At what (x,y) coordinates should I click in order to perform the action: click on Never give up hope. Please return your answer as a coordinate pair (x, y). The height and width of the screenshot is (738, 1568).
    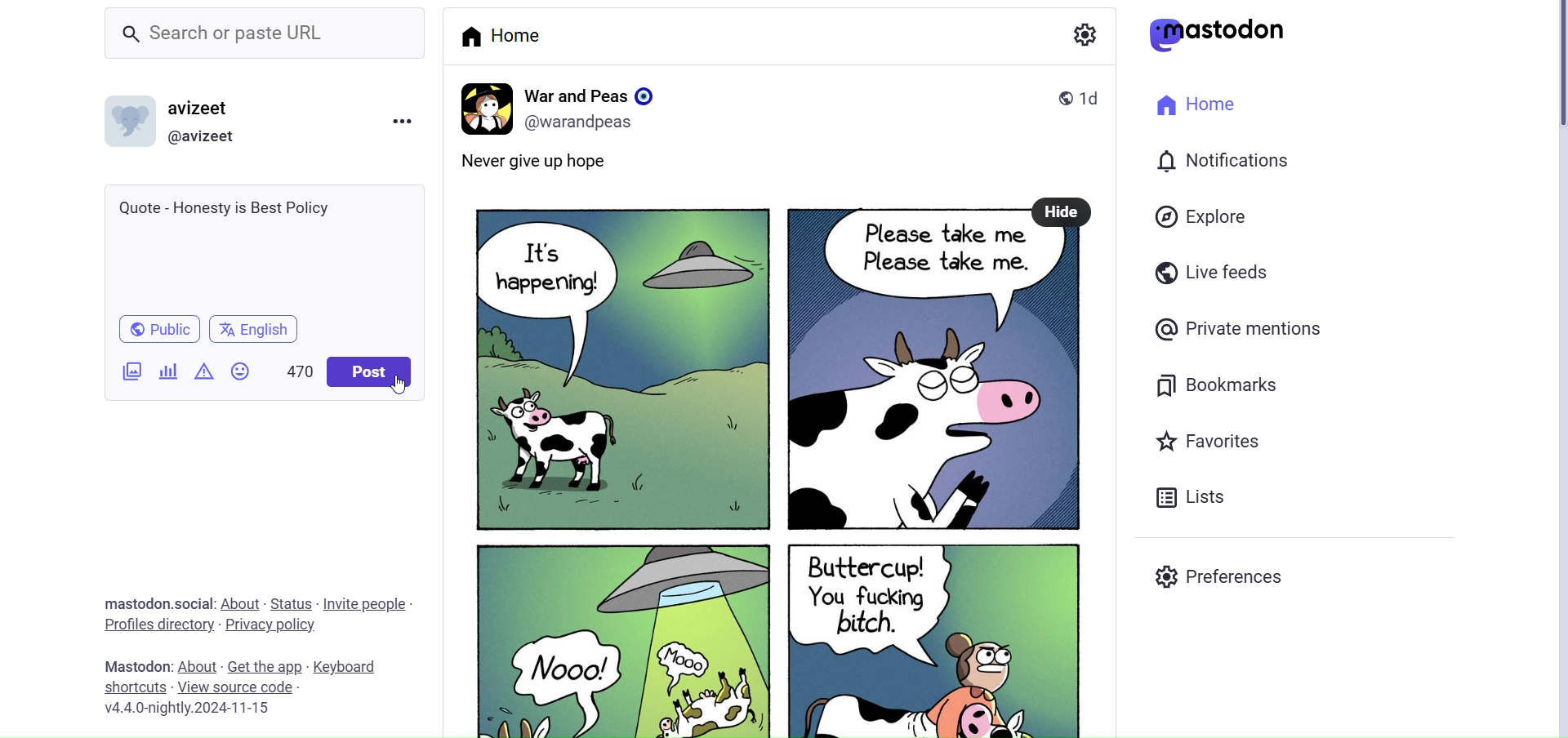
    Looking at the image, I should click on (558, 164).